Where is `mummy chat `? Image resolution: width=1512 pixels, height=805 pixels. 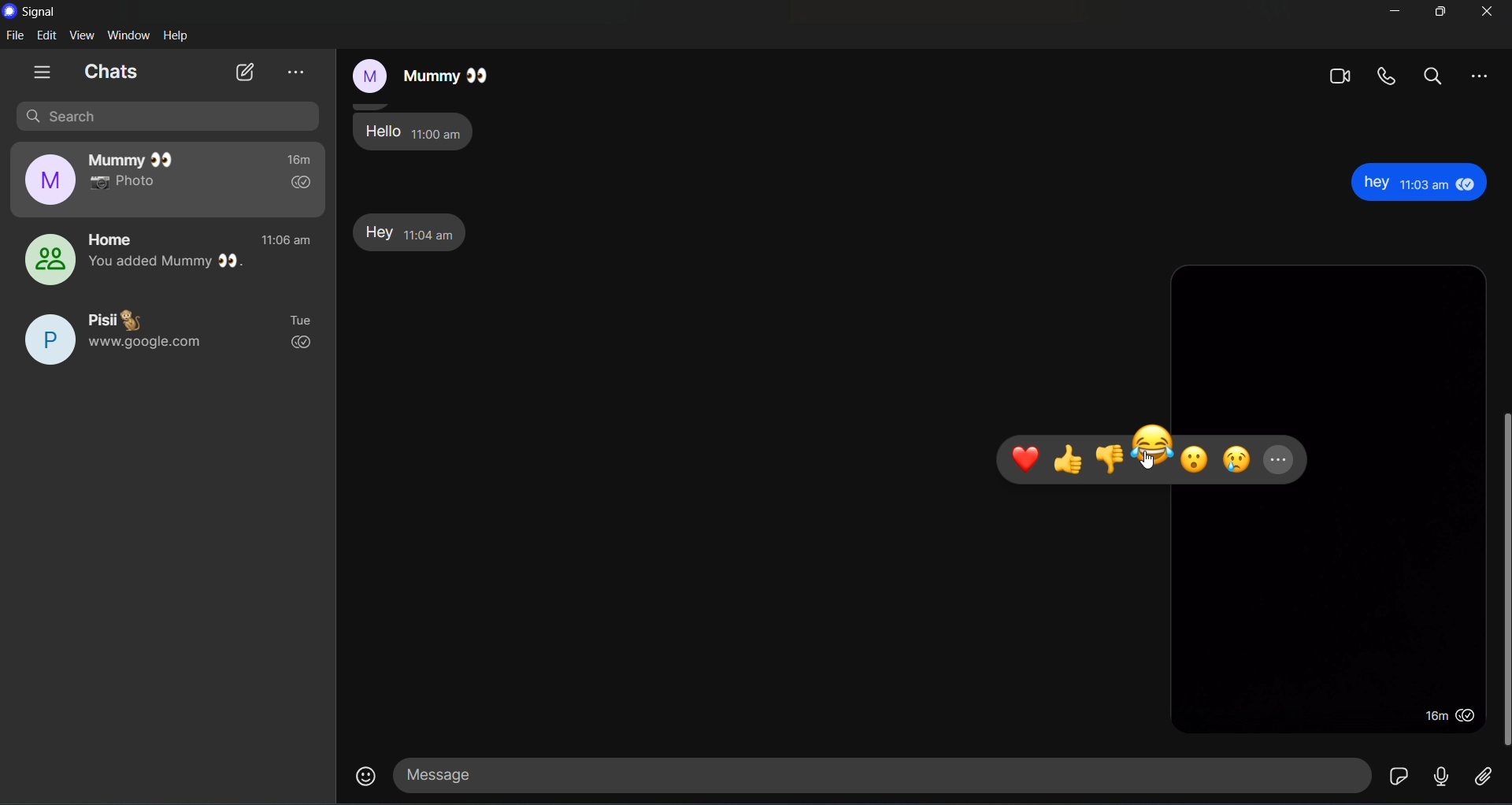
mummy chat  is located at coordinates (417, 72).